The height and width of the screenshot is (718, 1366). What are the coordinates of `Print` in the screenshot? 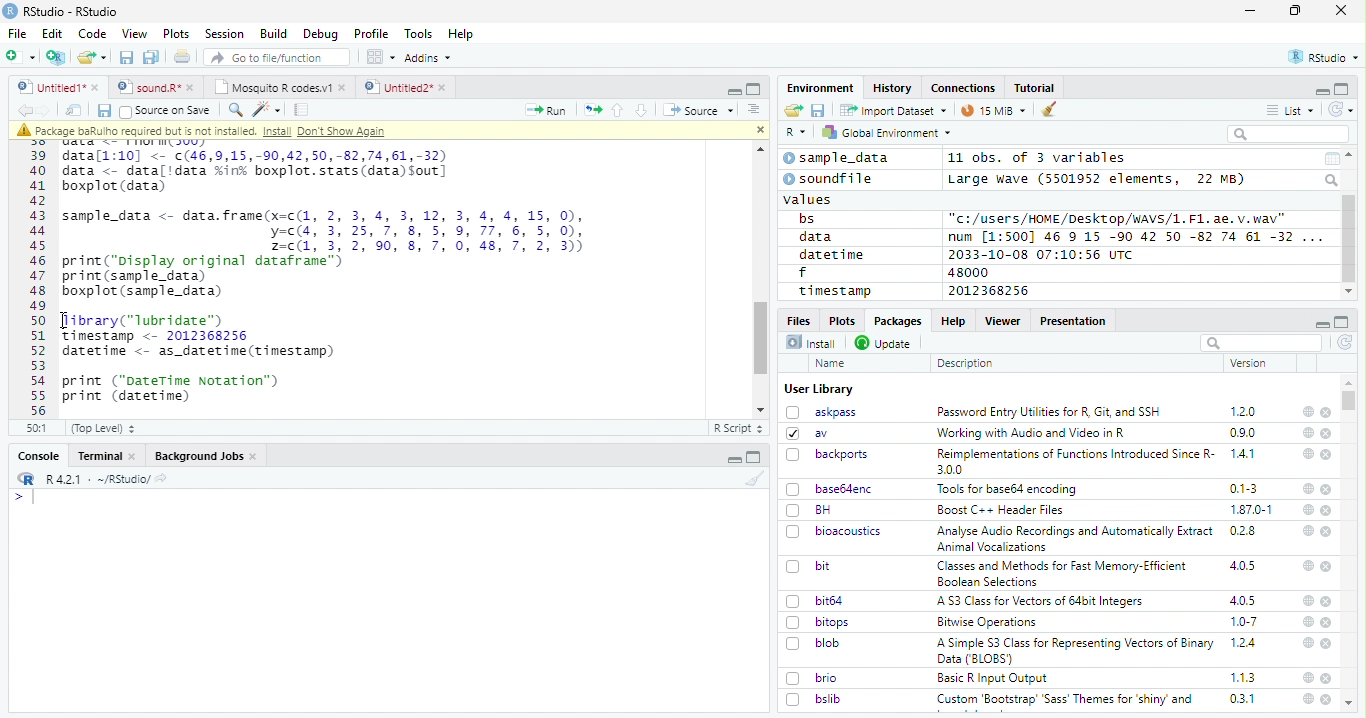 It's located at (183, 56).